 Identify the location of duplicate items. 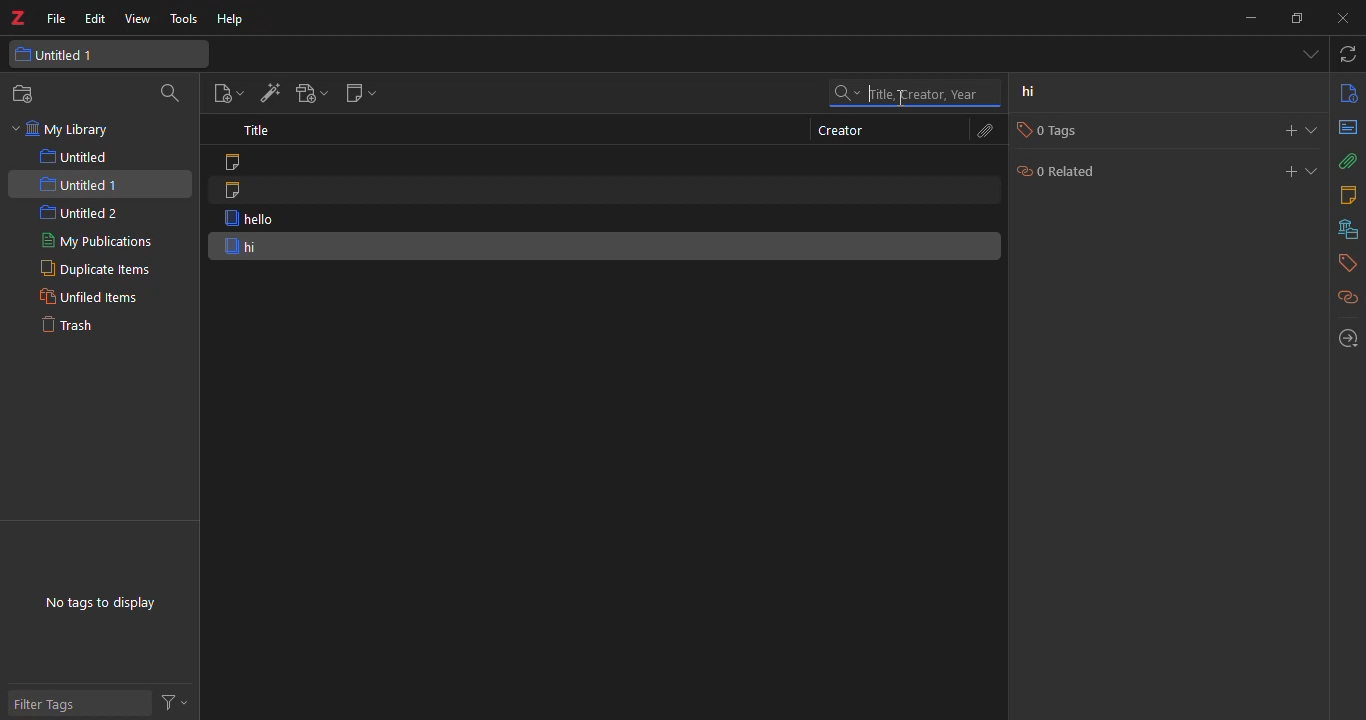
(91, 268).